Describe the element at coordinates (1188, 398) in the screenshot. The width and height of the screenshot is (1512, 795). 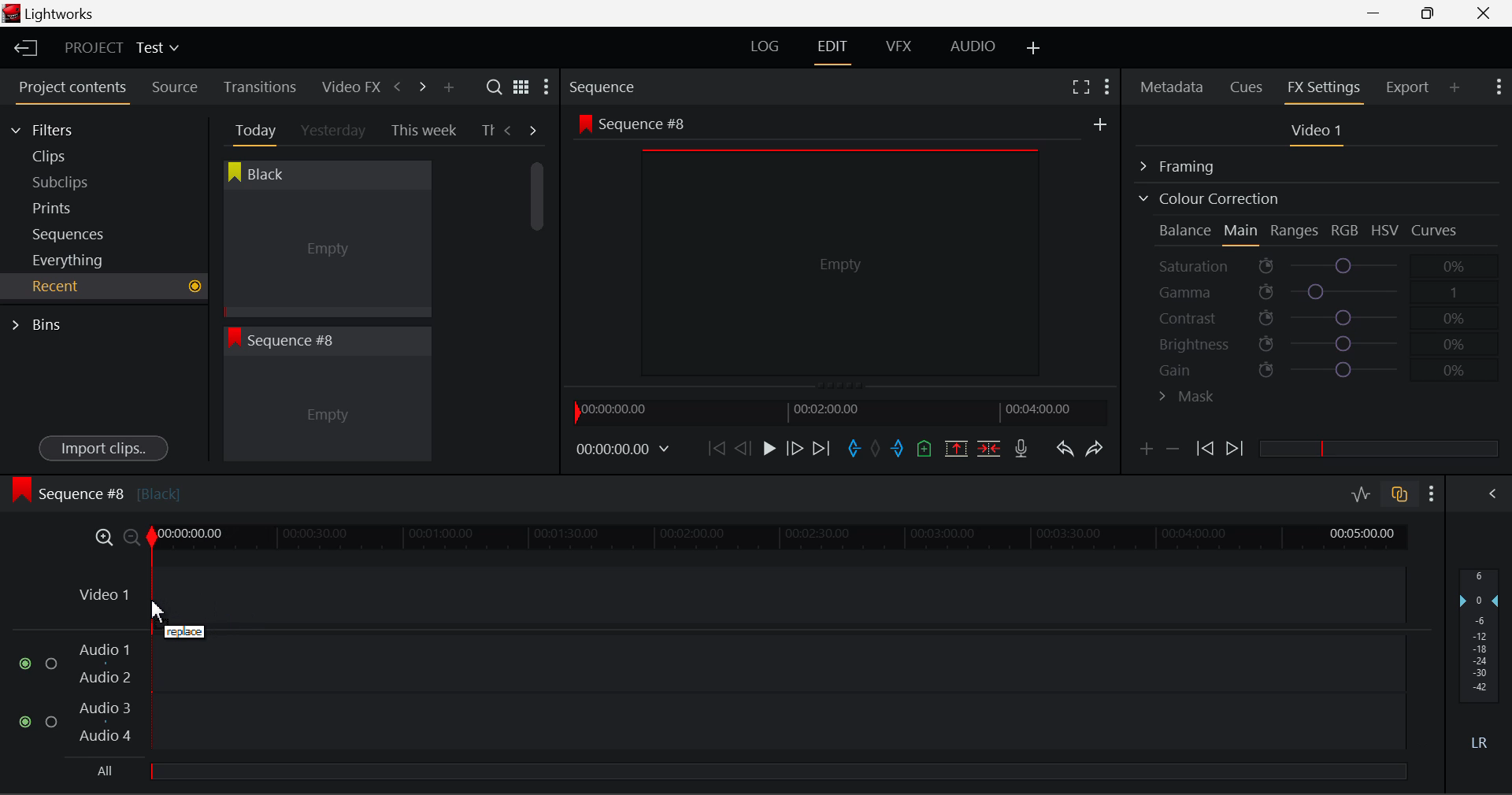
I see `Mask` at that location.